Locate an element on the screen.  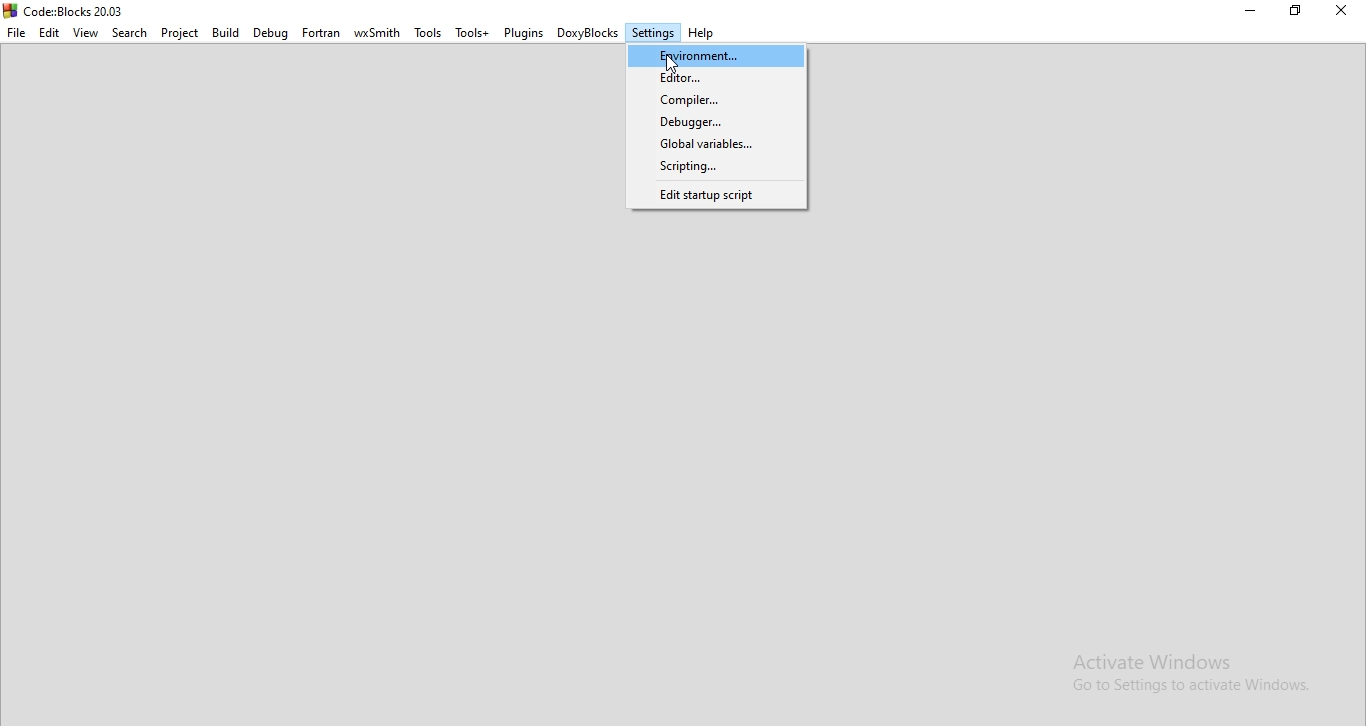
DoxyBlocks is located at coordinates (590, 35).